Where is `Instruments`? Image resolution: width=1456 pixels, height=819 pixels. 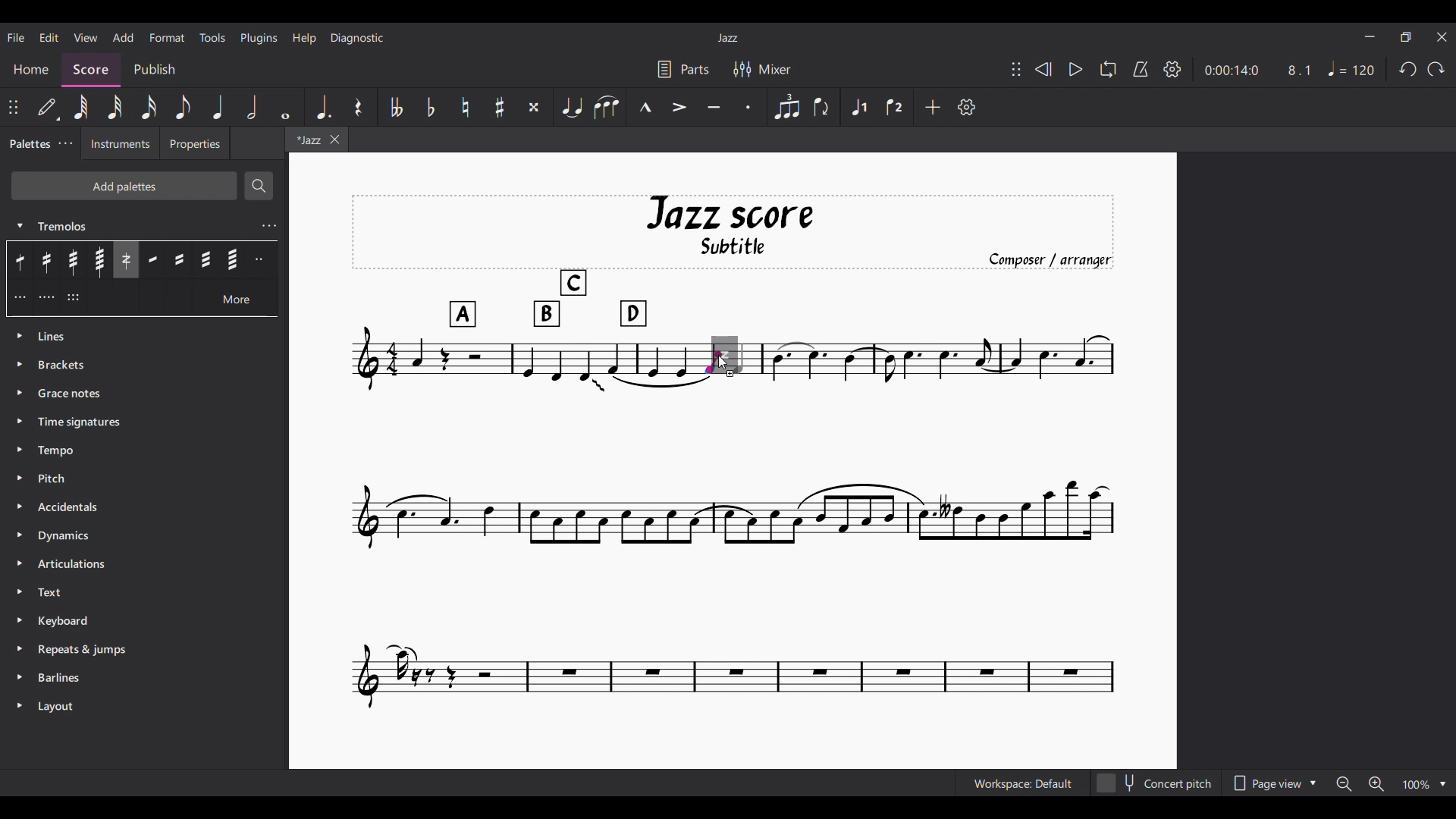 Instruments is located at coordinates (121, 143).